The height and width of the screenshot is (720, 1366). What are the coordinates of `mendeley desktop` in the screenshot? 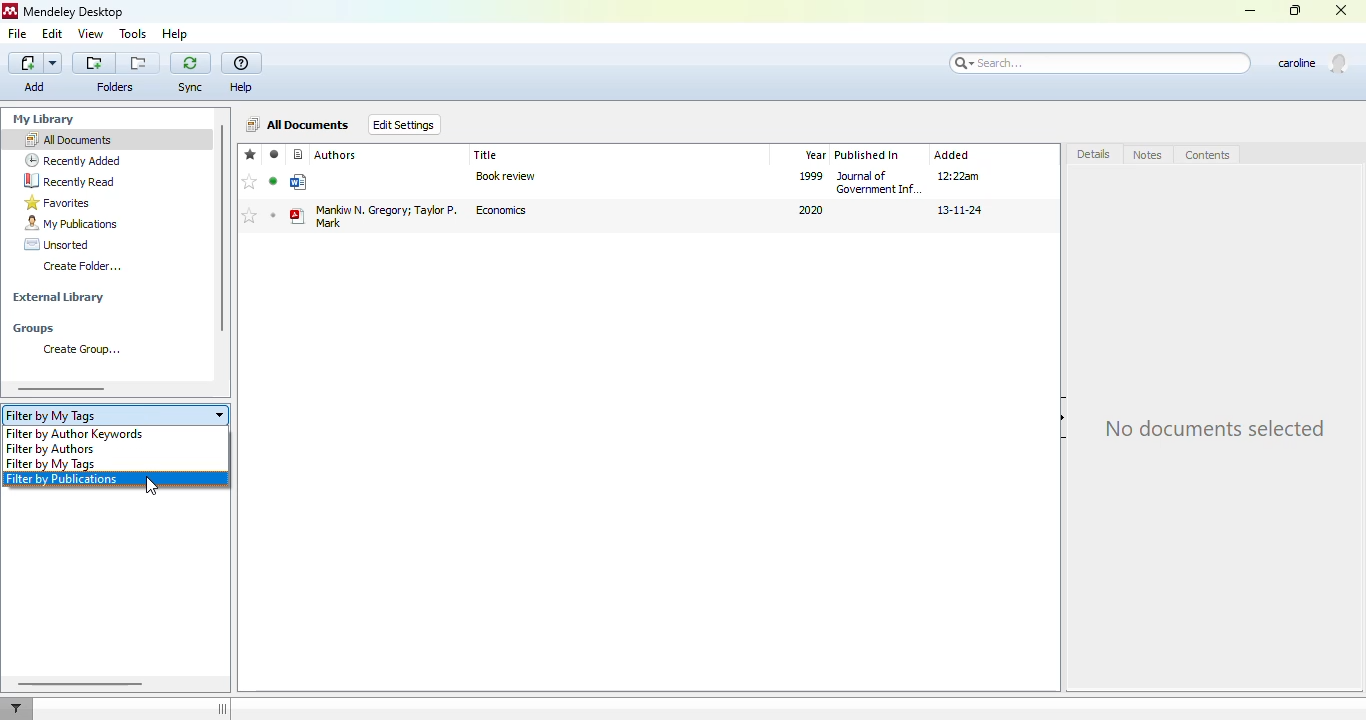 It's located at (75, 11).